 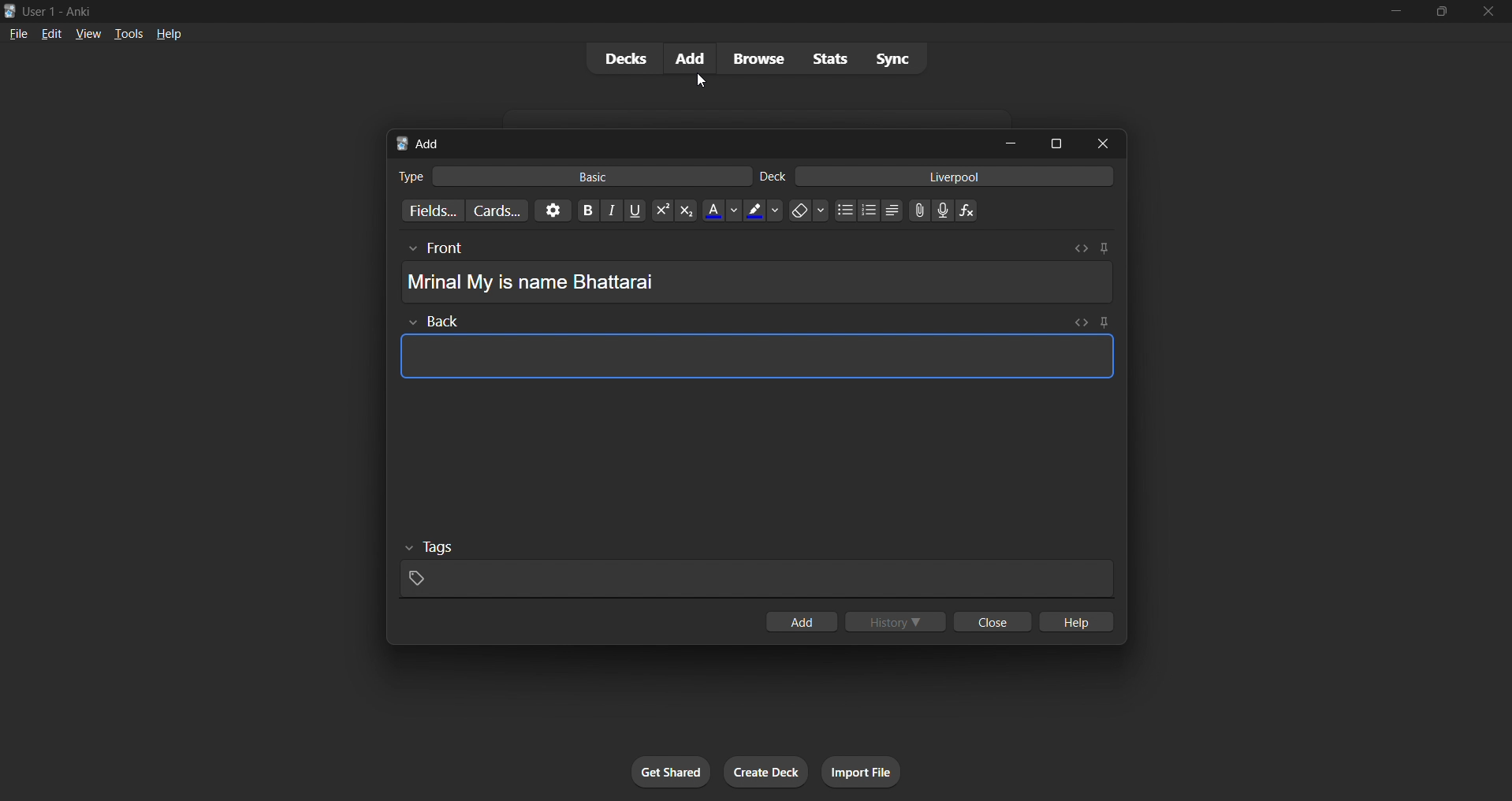 I want to click on tags input field, so click(x=759, y=568).